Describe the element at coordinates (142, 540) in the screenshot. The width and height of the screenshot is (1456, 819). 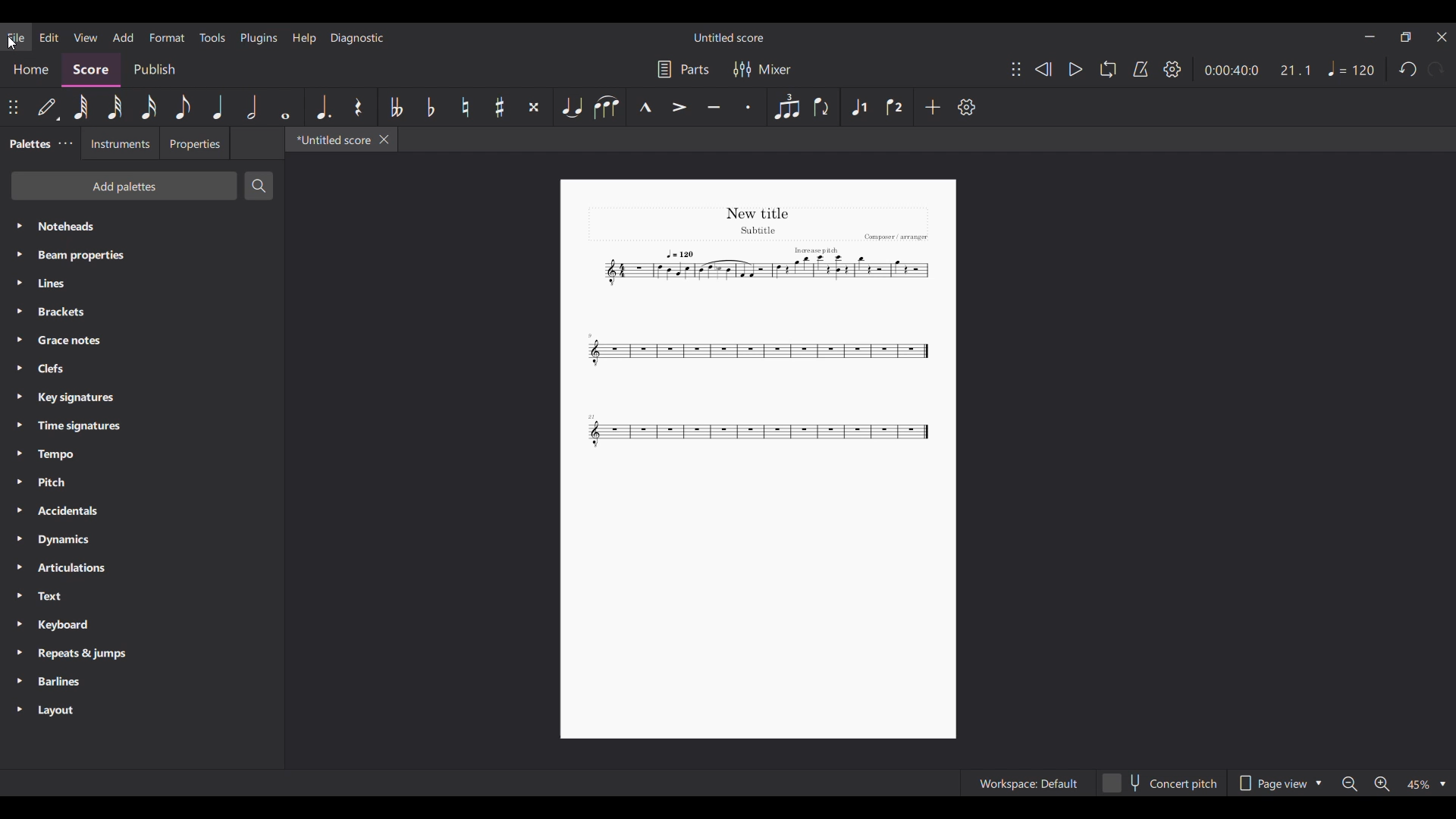
I see `Dynamics` at that location.